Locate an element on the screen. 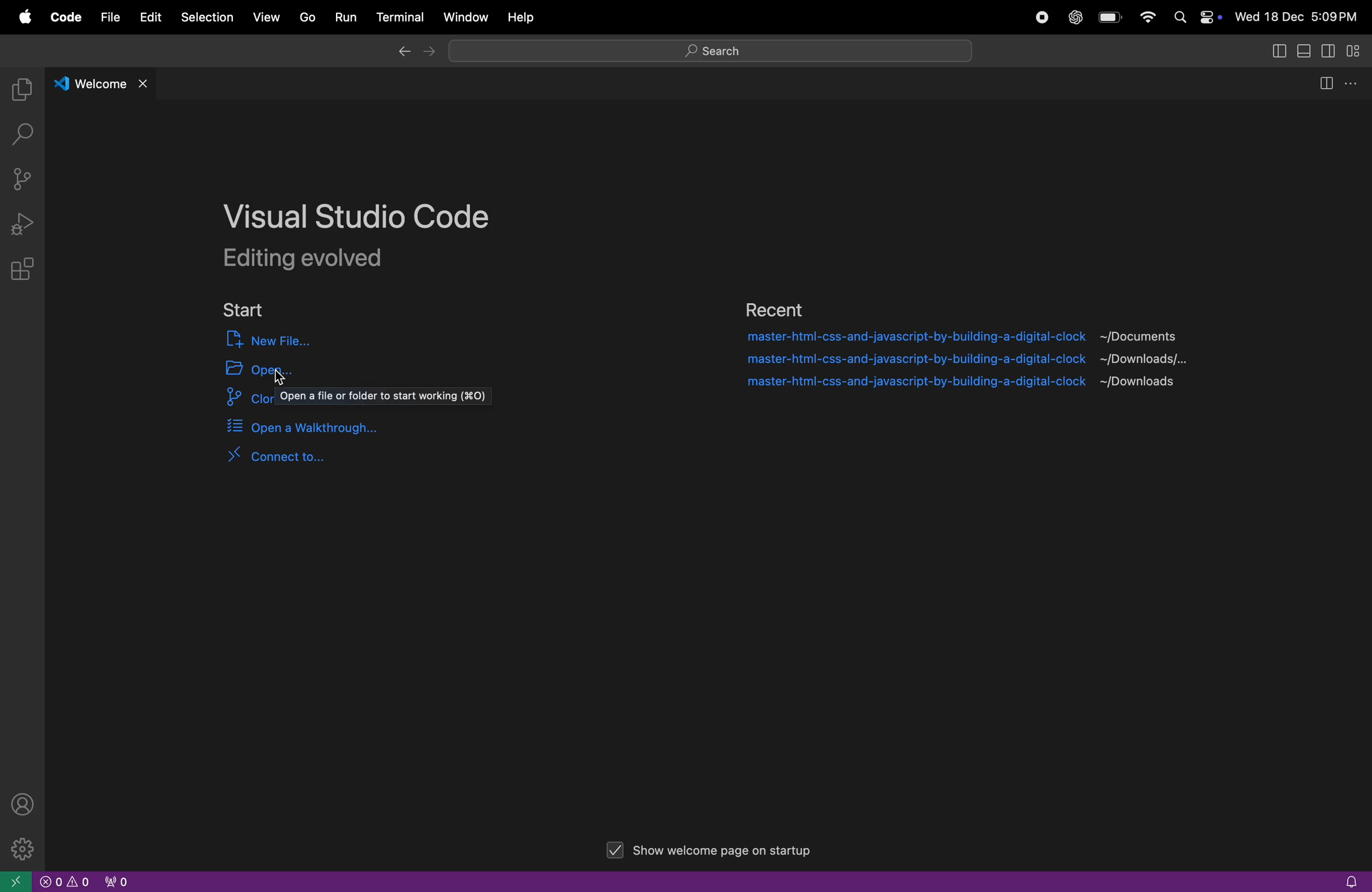 The image size is (1372, 892). clone is located at coordinates (355, 400).